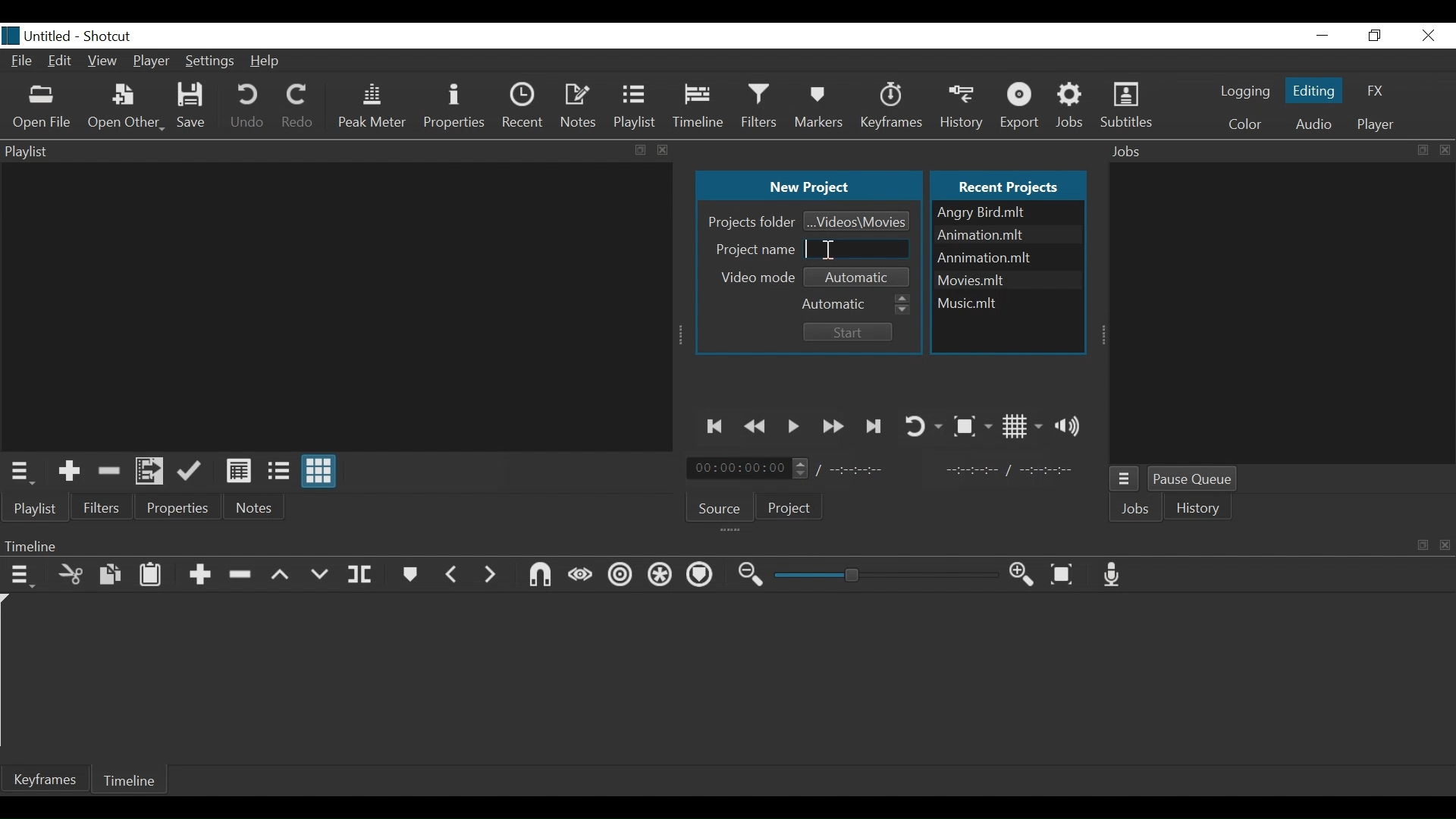  Describe the element at coordinates (179, 507) in the screenshot. I see `Properties` at that location.